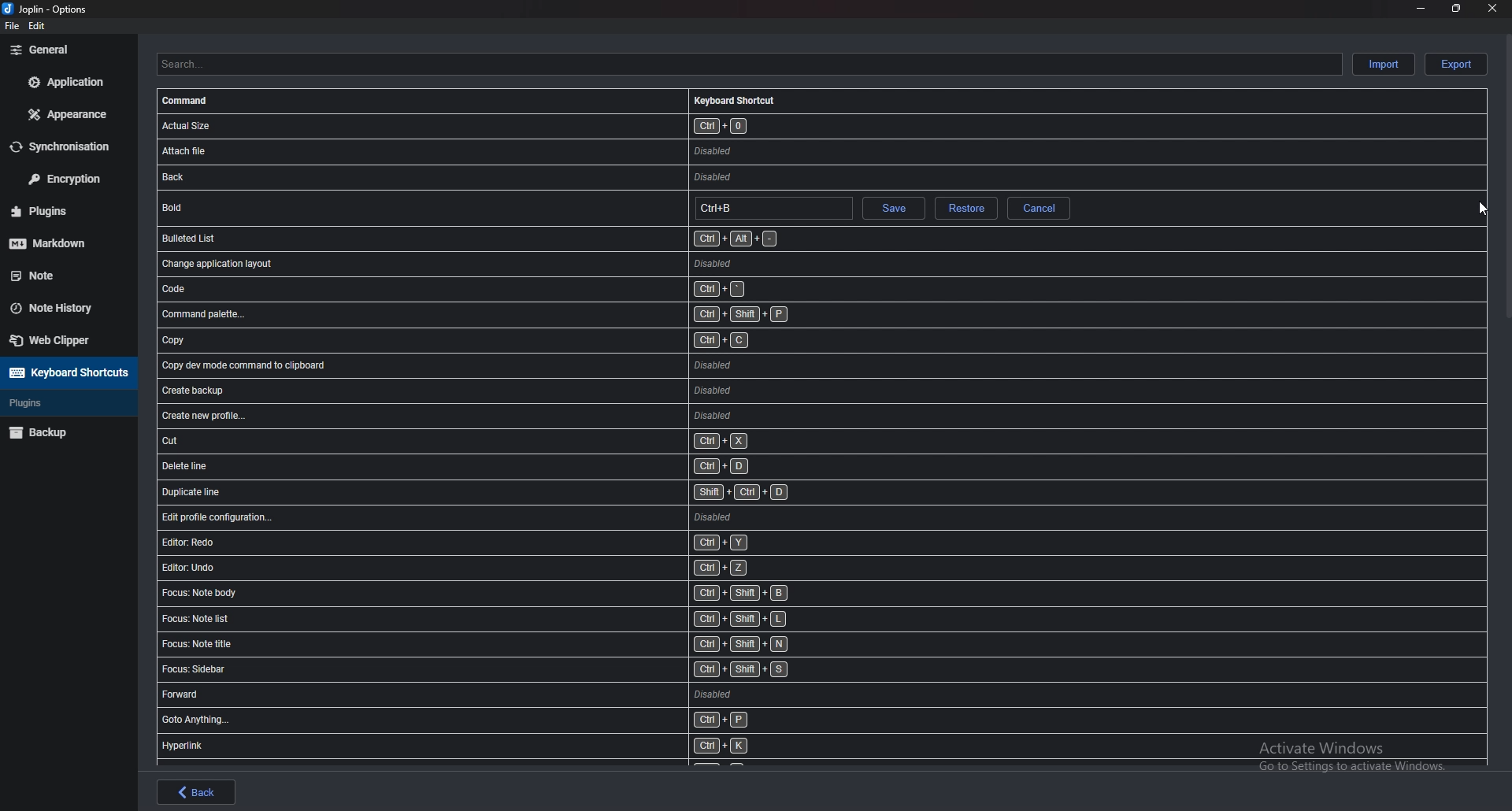 The height and width of the screenshot is (811, 1512). I want to click on cursor, so click(1486, 209).